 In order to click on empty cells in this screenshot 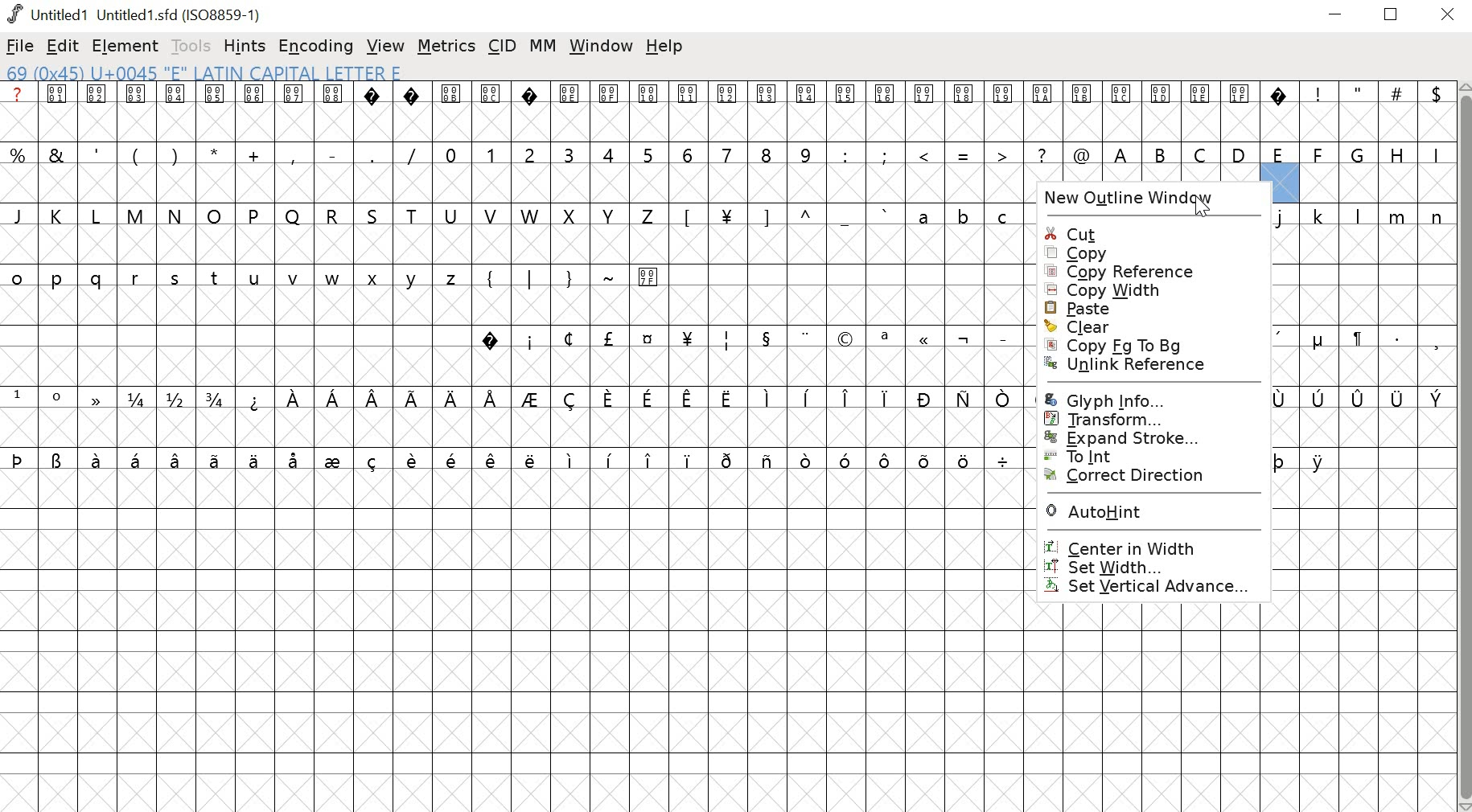, I will do `click(512, 307)`.